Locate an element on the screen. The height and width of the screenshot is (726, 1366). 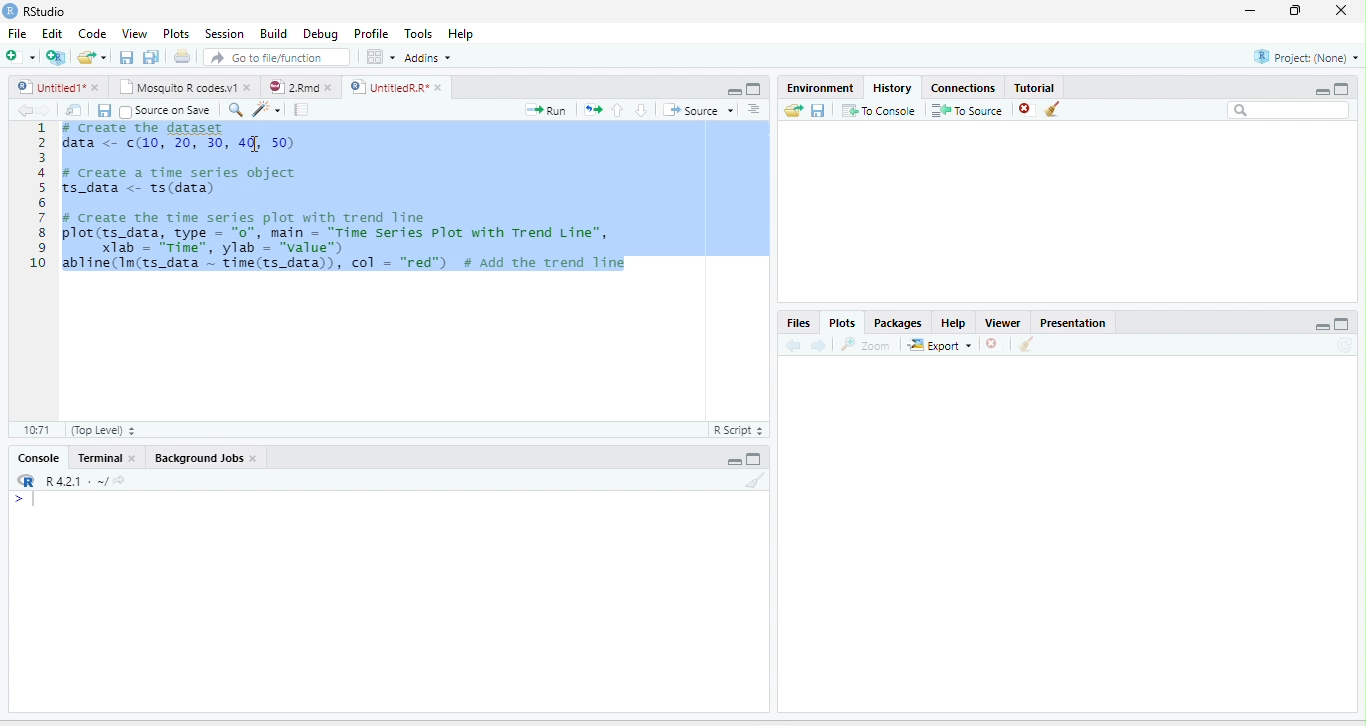
Presentation is located at coordinates (1073, 321).